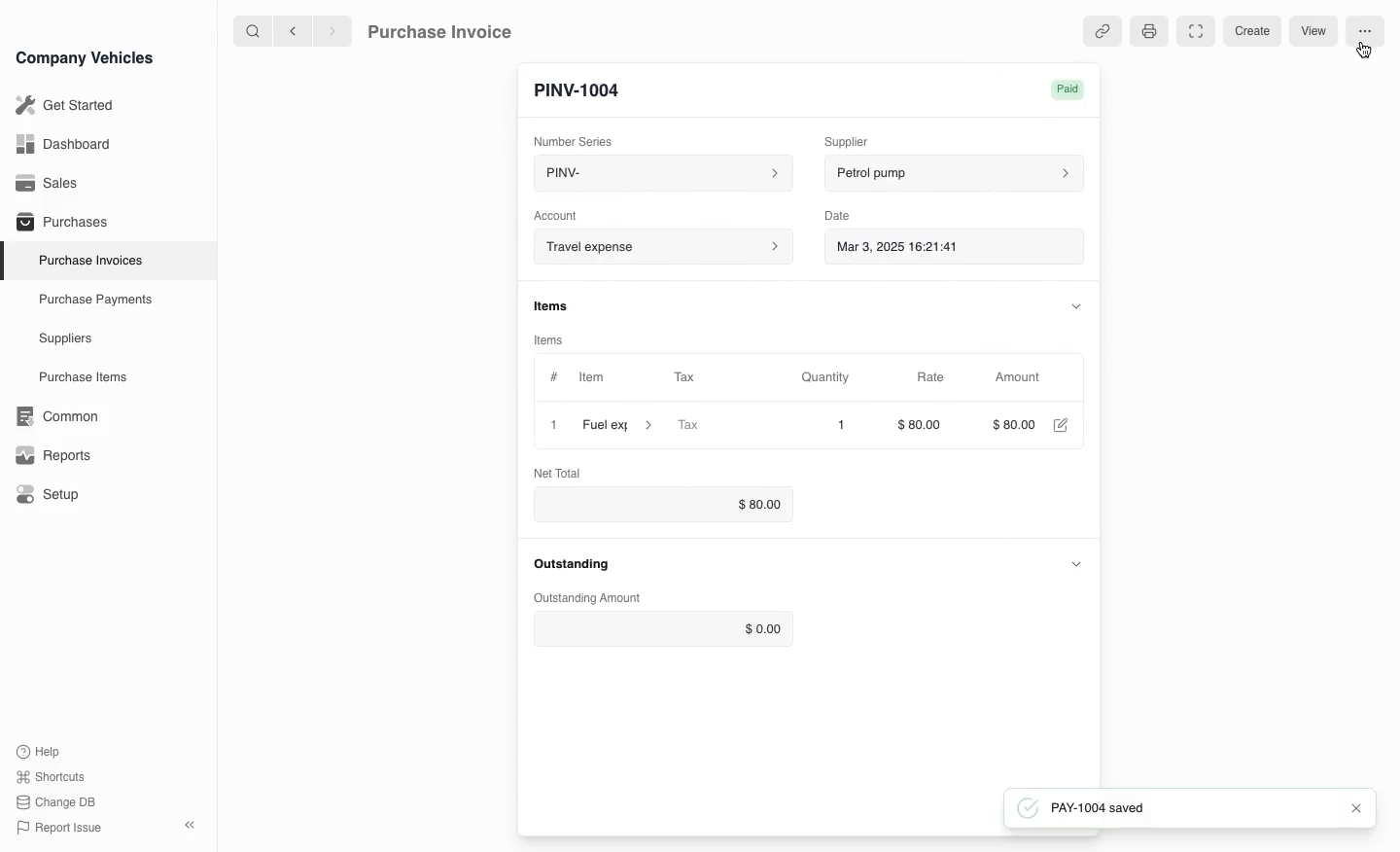 The image size is (1400, 852). Describe the element at coordinates (291, 30) in the screenshot. I see `previous` at that location.